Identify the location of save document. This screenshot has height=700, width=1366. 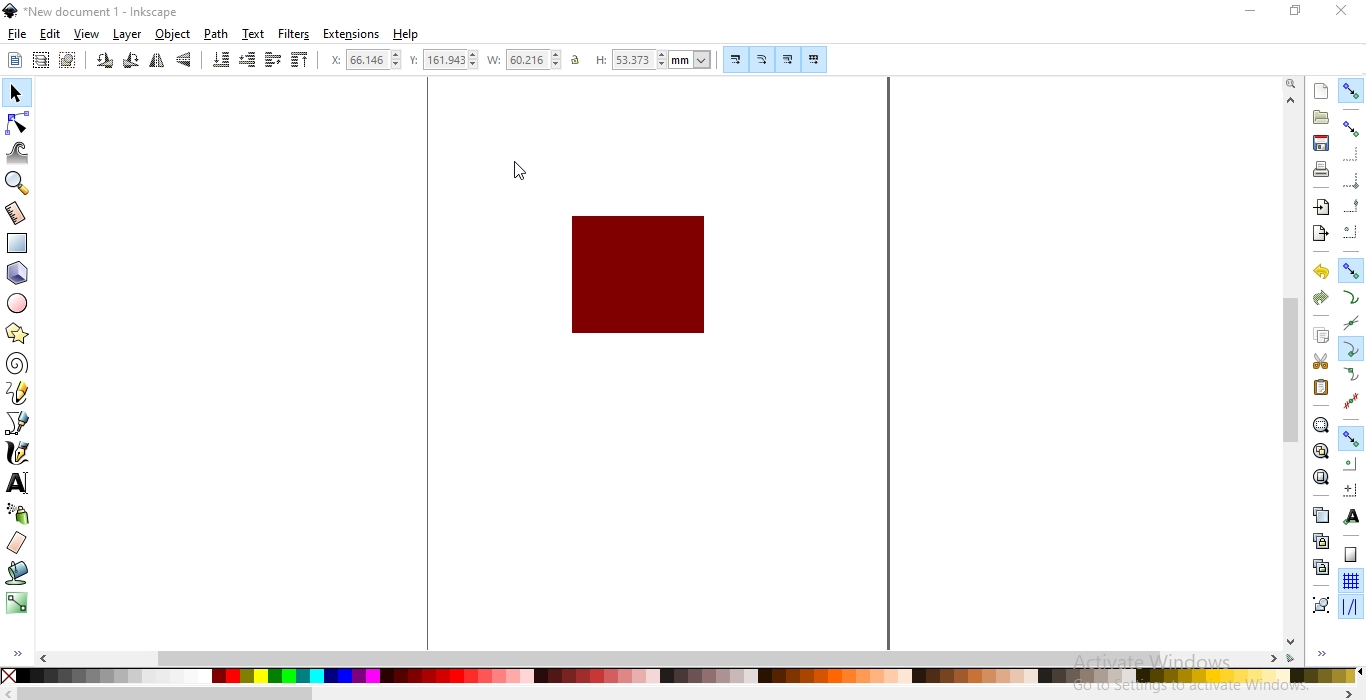
(1322, 144).